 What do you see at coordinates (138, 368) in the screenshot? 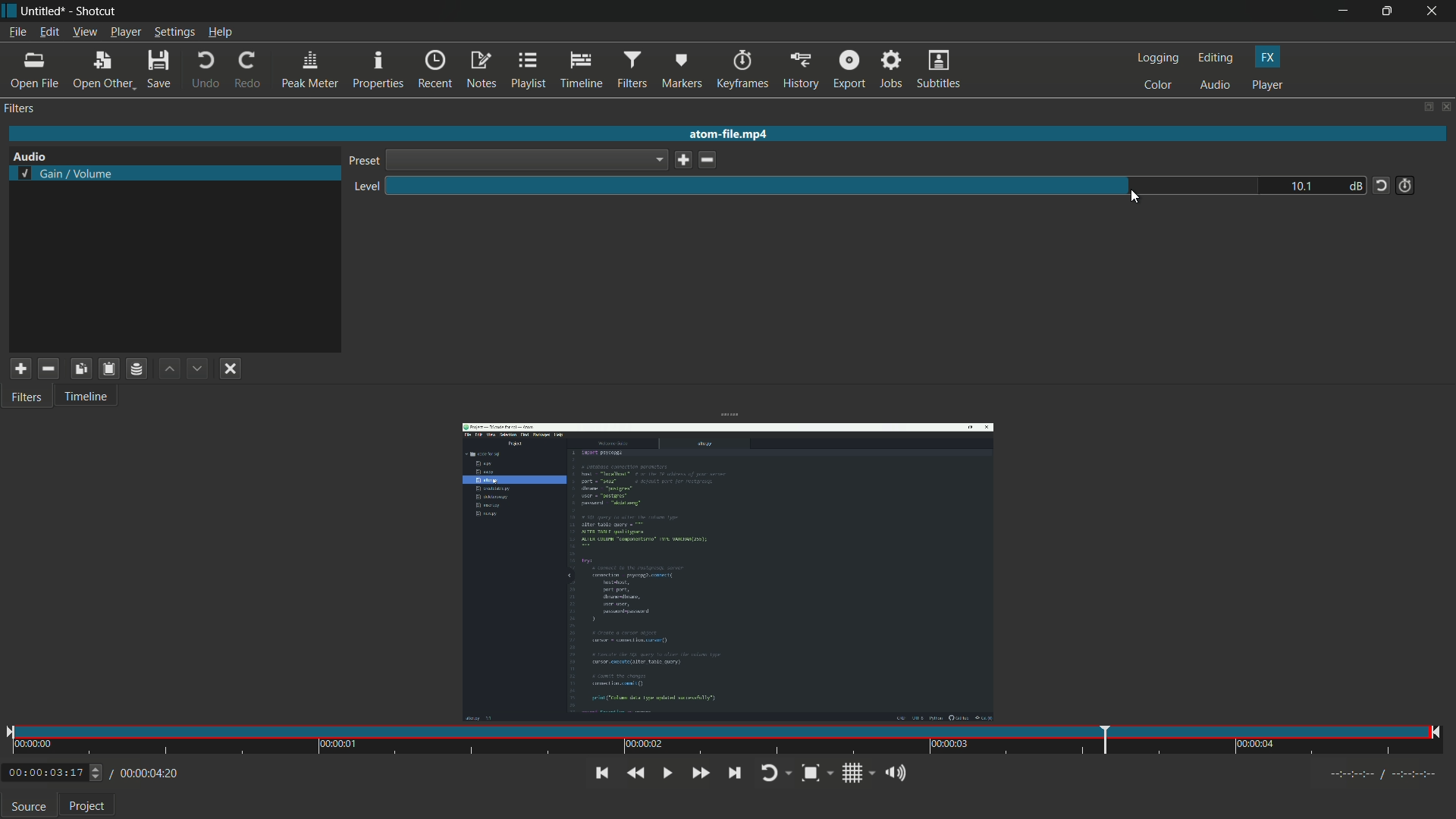
I see `save filter set` at bounding box center [138, 368].